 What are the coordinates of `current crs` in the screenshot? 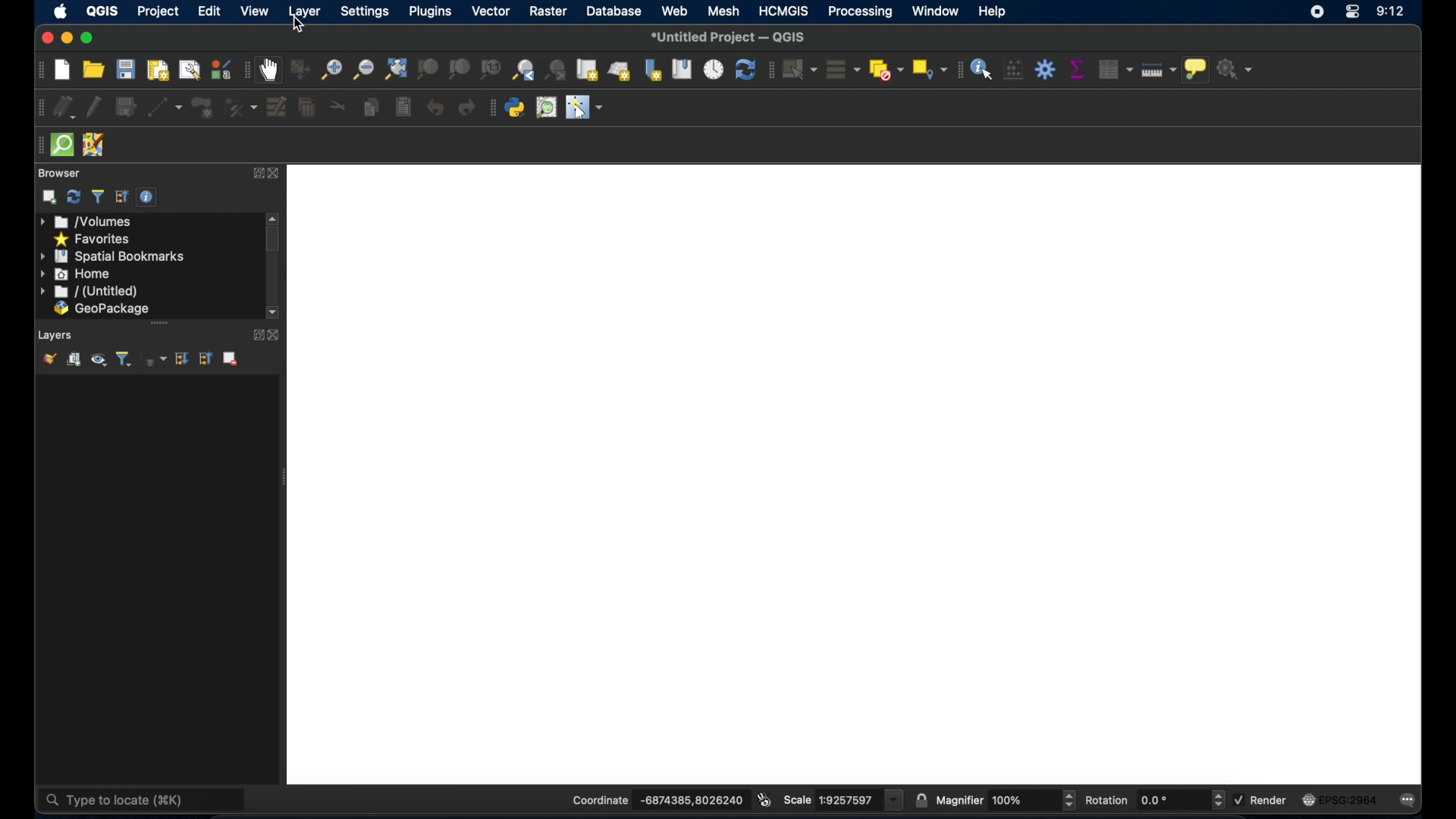 It's located at (1339, 801).